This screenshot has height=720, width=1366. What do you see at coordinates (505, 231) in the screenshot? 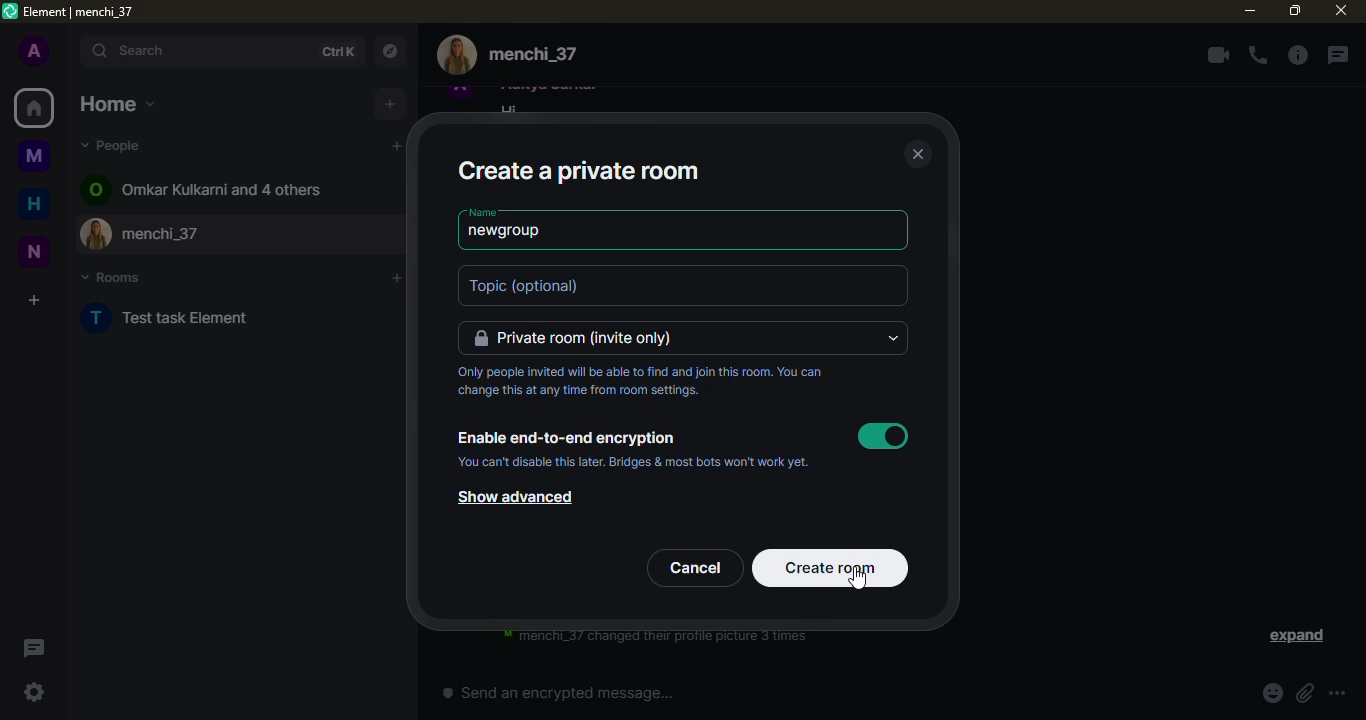
I see `newgroup` at bounding box center [505, 231].